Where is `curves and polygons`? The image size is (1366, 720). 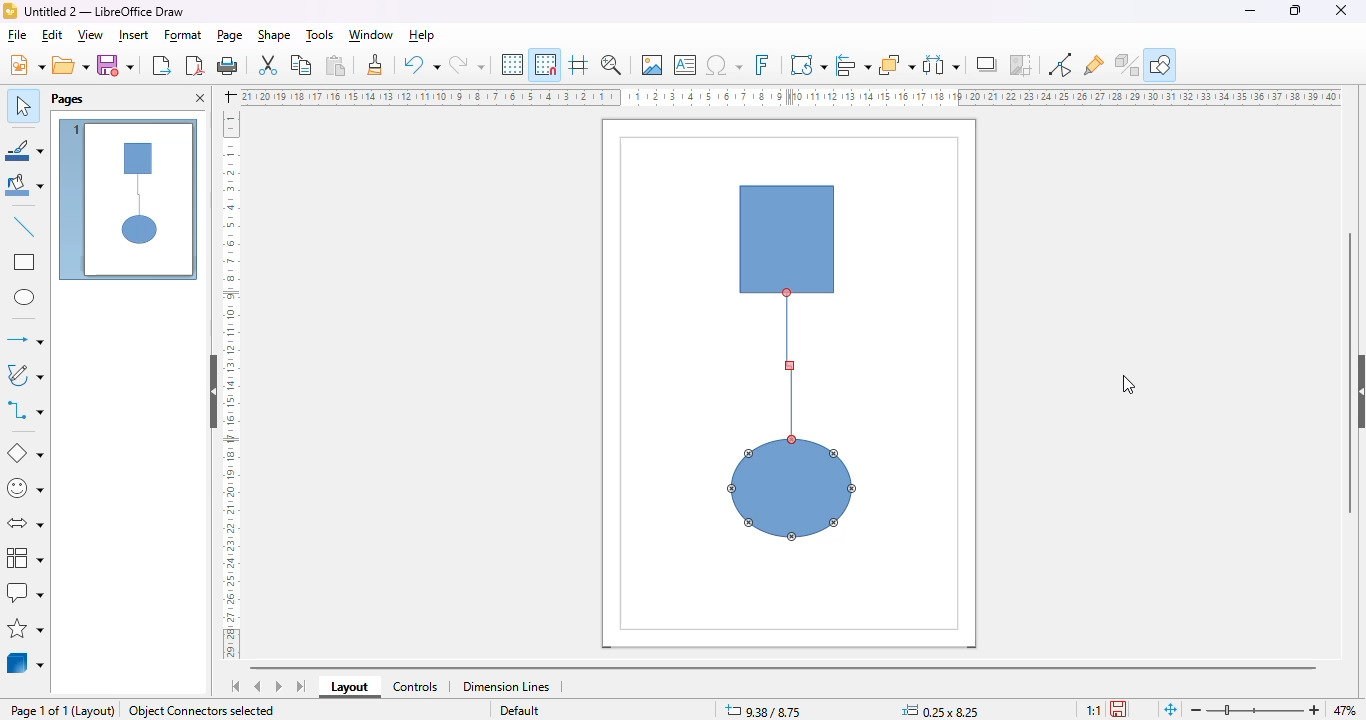
curves and polygons is located at coordinates (26, 376).